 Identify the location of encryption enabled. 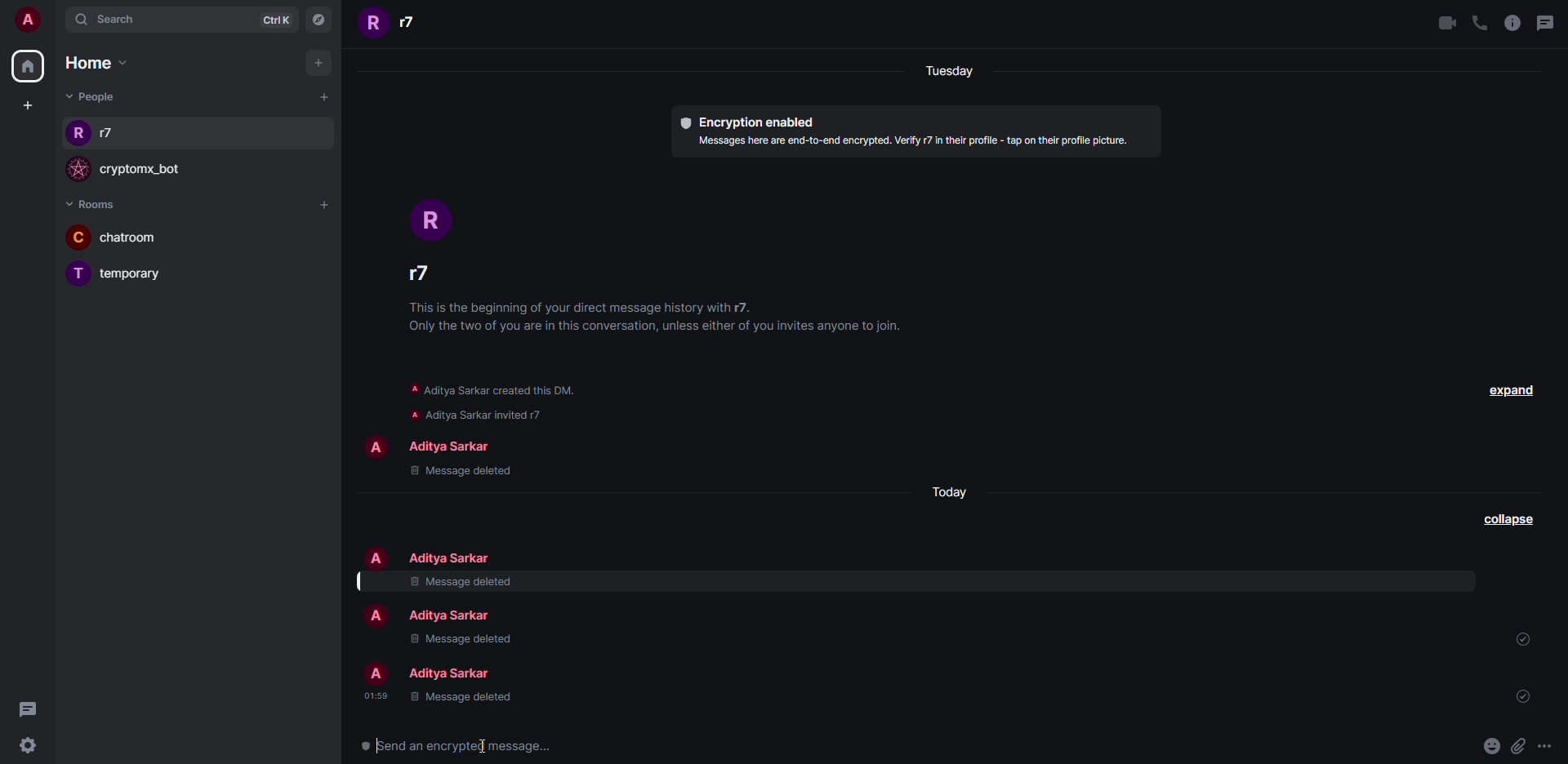
(748, 119).